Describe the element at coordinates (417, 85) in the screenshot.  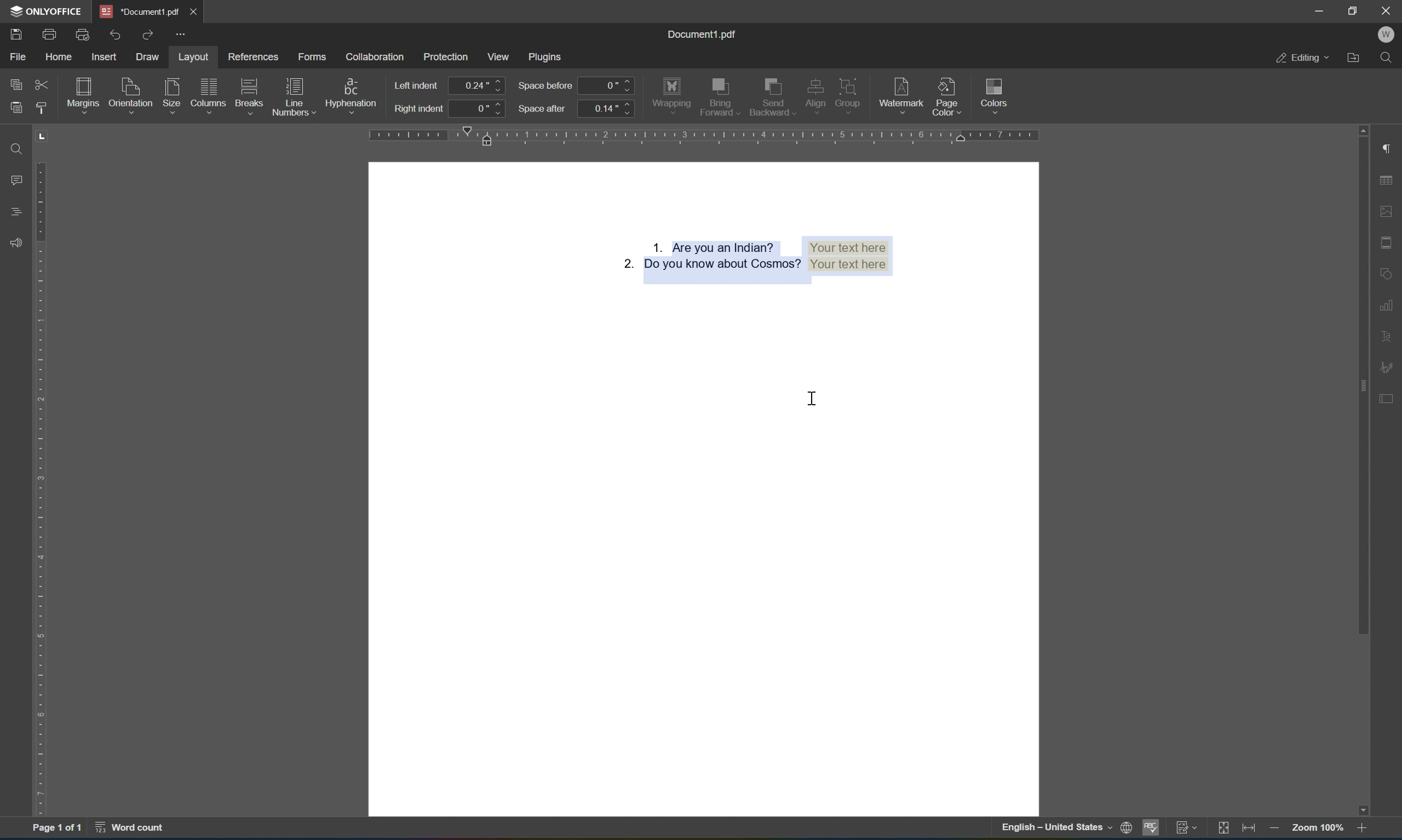
I see `left indent` at that location.